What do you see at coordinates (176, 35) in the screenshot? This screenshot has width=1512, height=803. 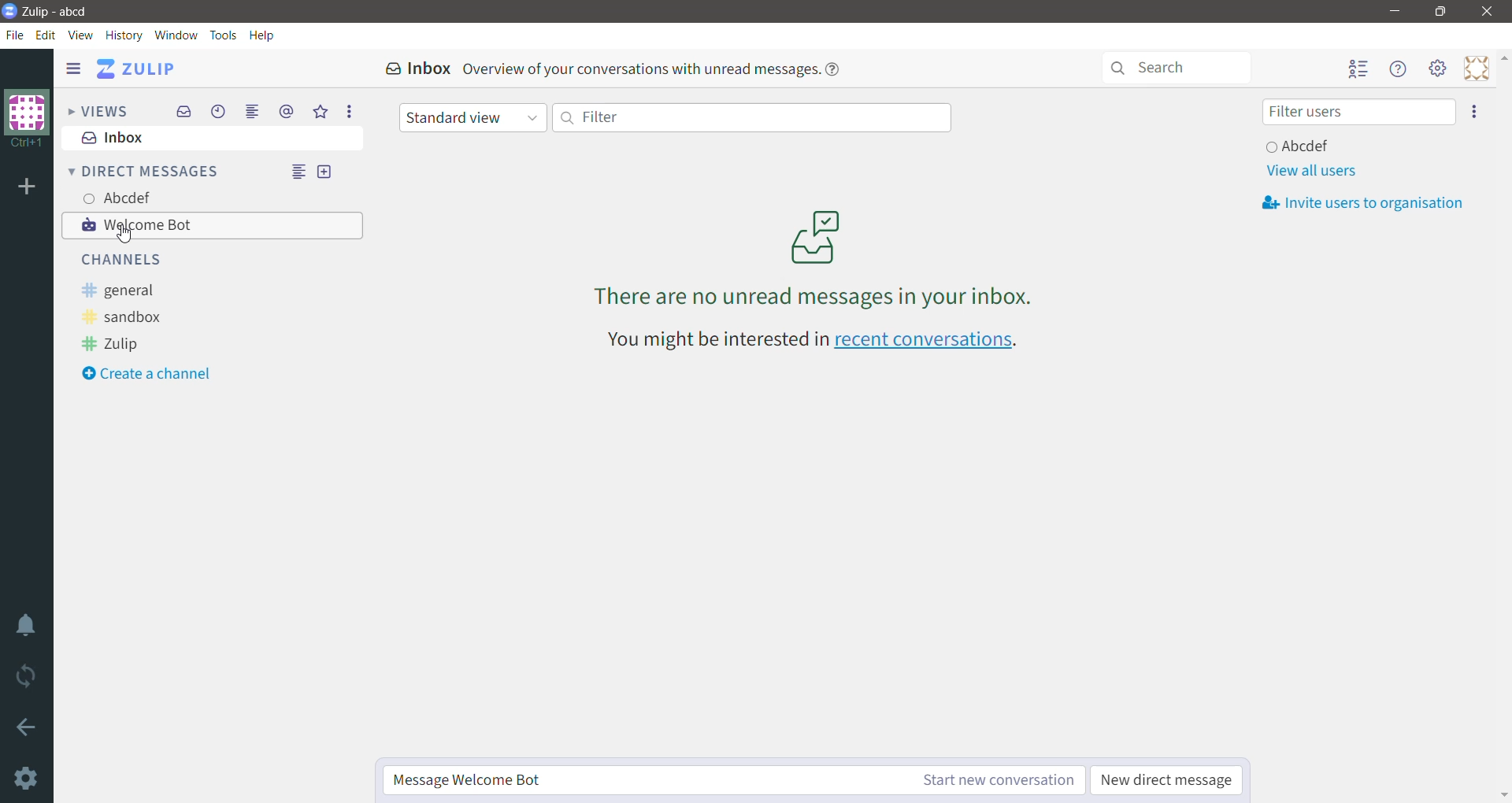 I see `Window` at bounding box center [176, 35].